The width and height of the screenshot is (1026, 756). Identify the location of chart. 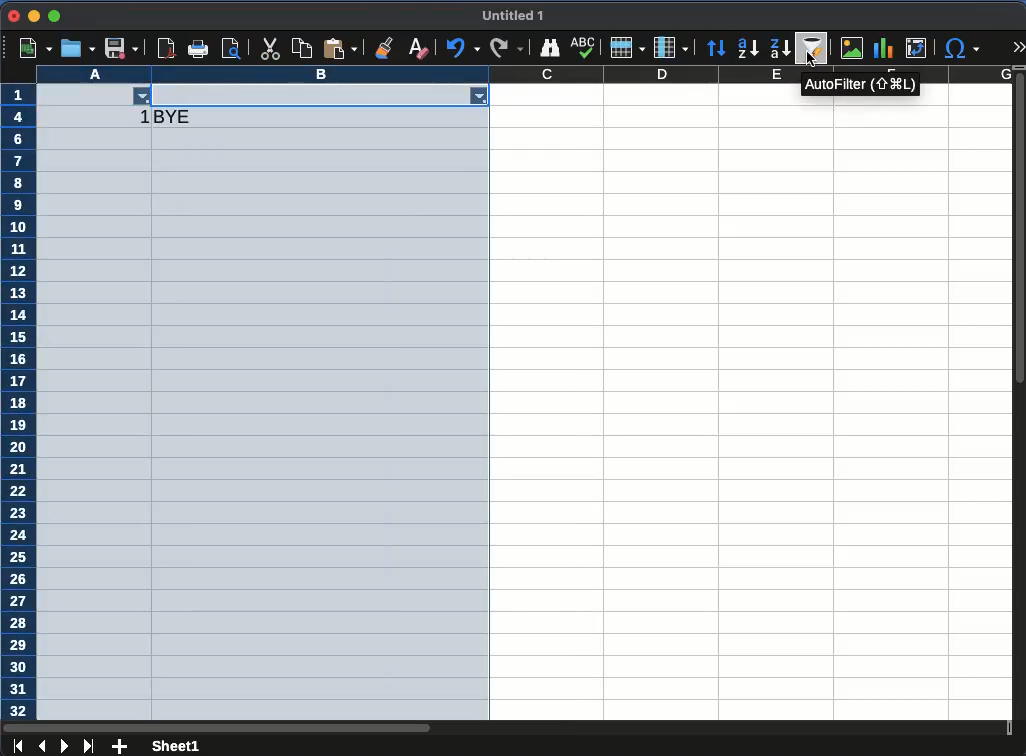
(851, 47).